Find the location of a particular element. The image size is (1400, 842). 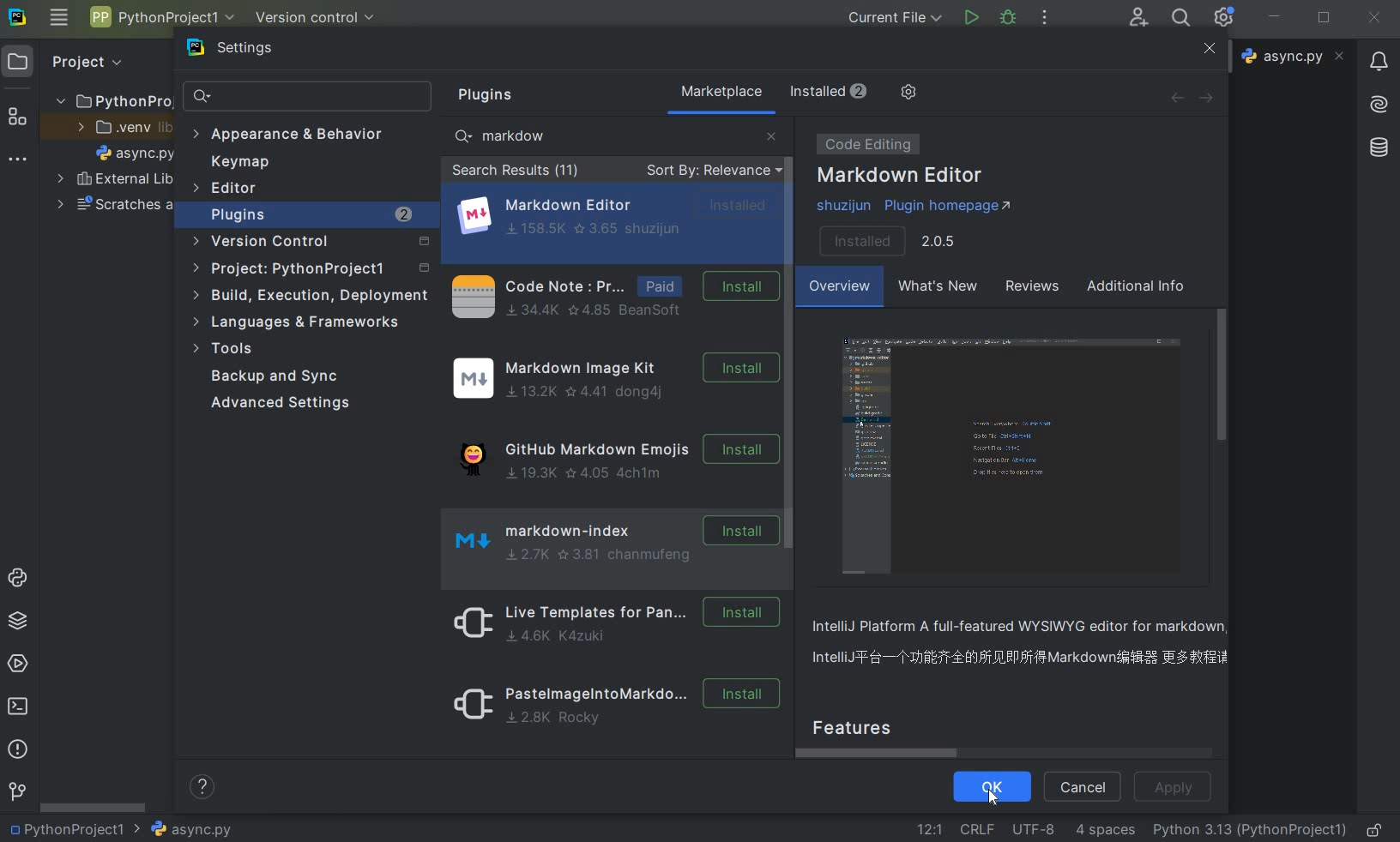

additional info is located at coordinates (1137, 288).